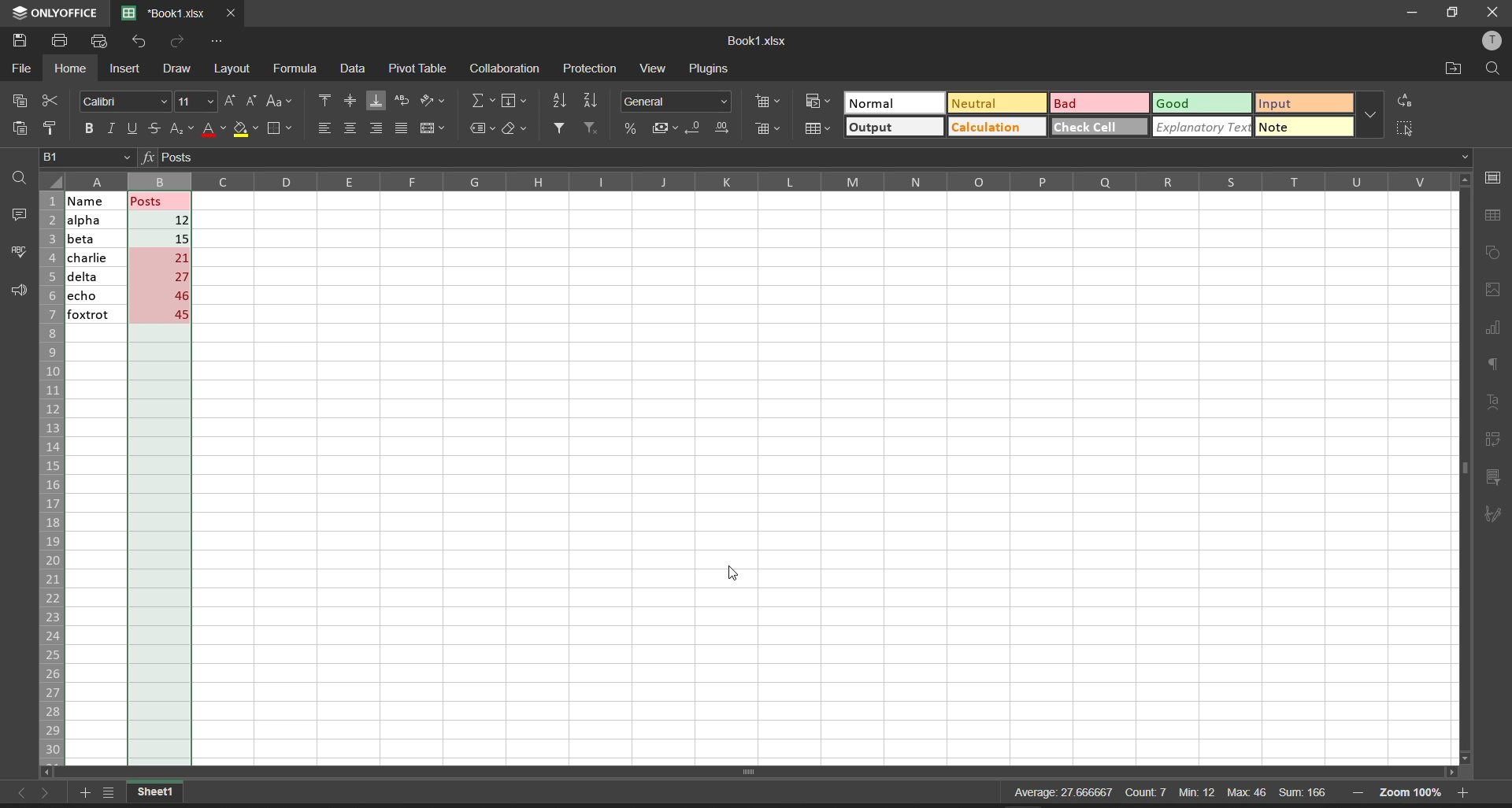 This screenshot has height=808, width=1512. What do you see at coordinates (1494, 42) in the screenshot?
I see `user profile` at bounding box center [1494, 42].